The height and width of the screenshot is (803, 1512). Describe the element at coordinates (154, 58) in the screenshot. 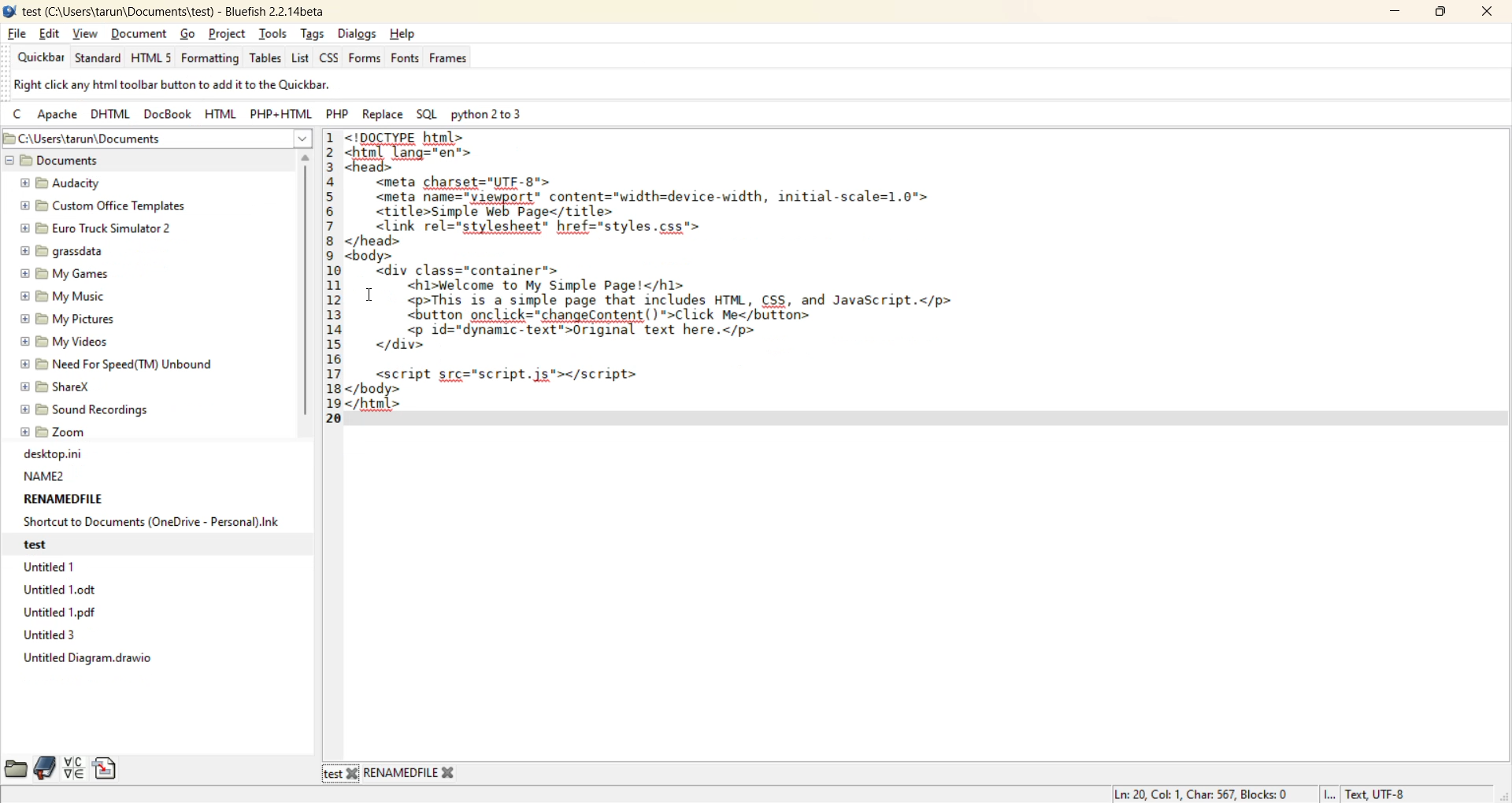

I see `html 5` at that location.